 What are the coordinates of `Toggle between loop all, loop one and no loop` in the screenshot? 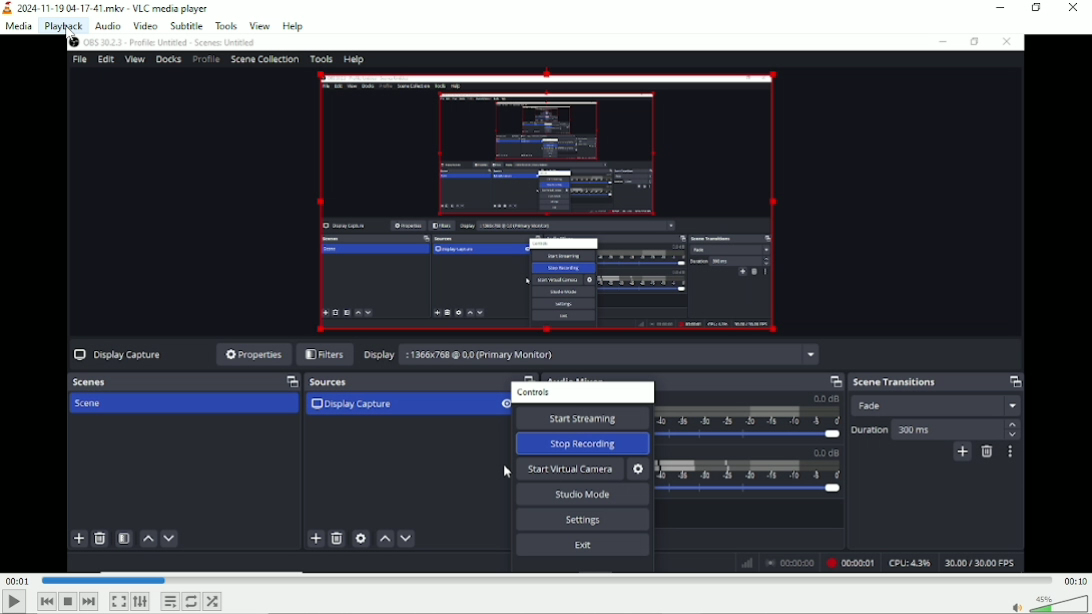 It's located at (191, 602).